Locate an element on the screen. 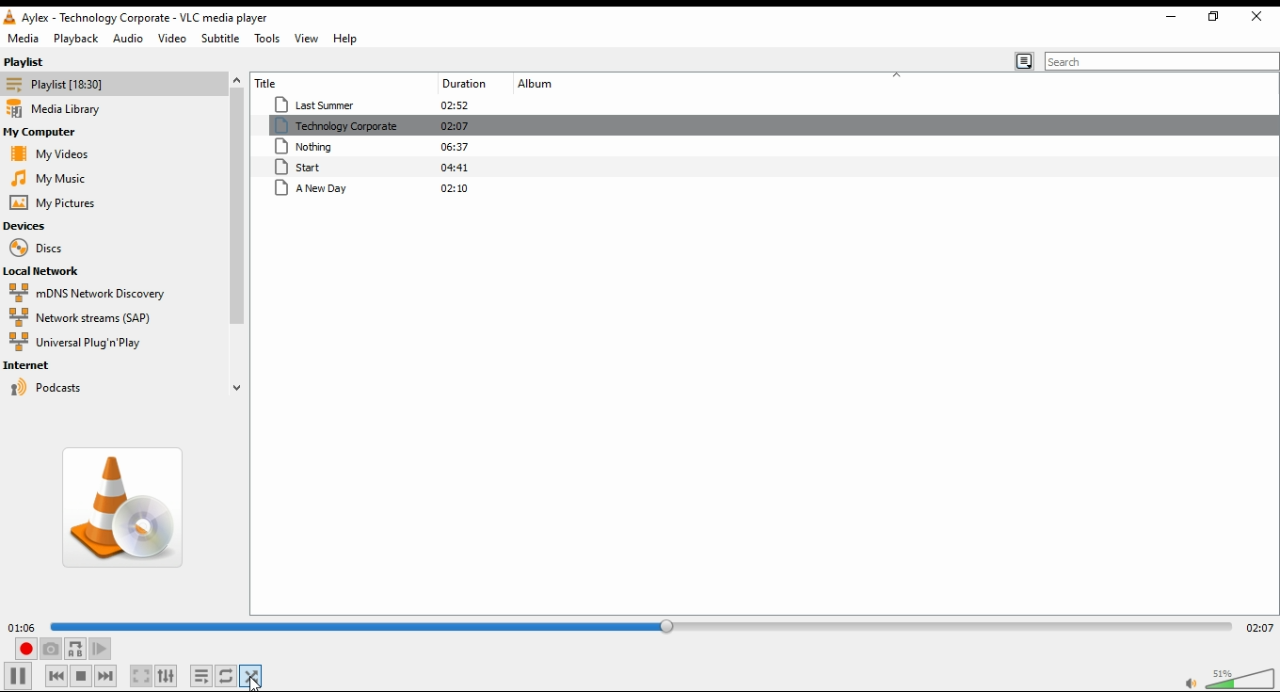  media is located at coordinates (24, 38).